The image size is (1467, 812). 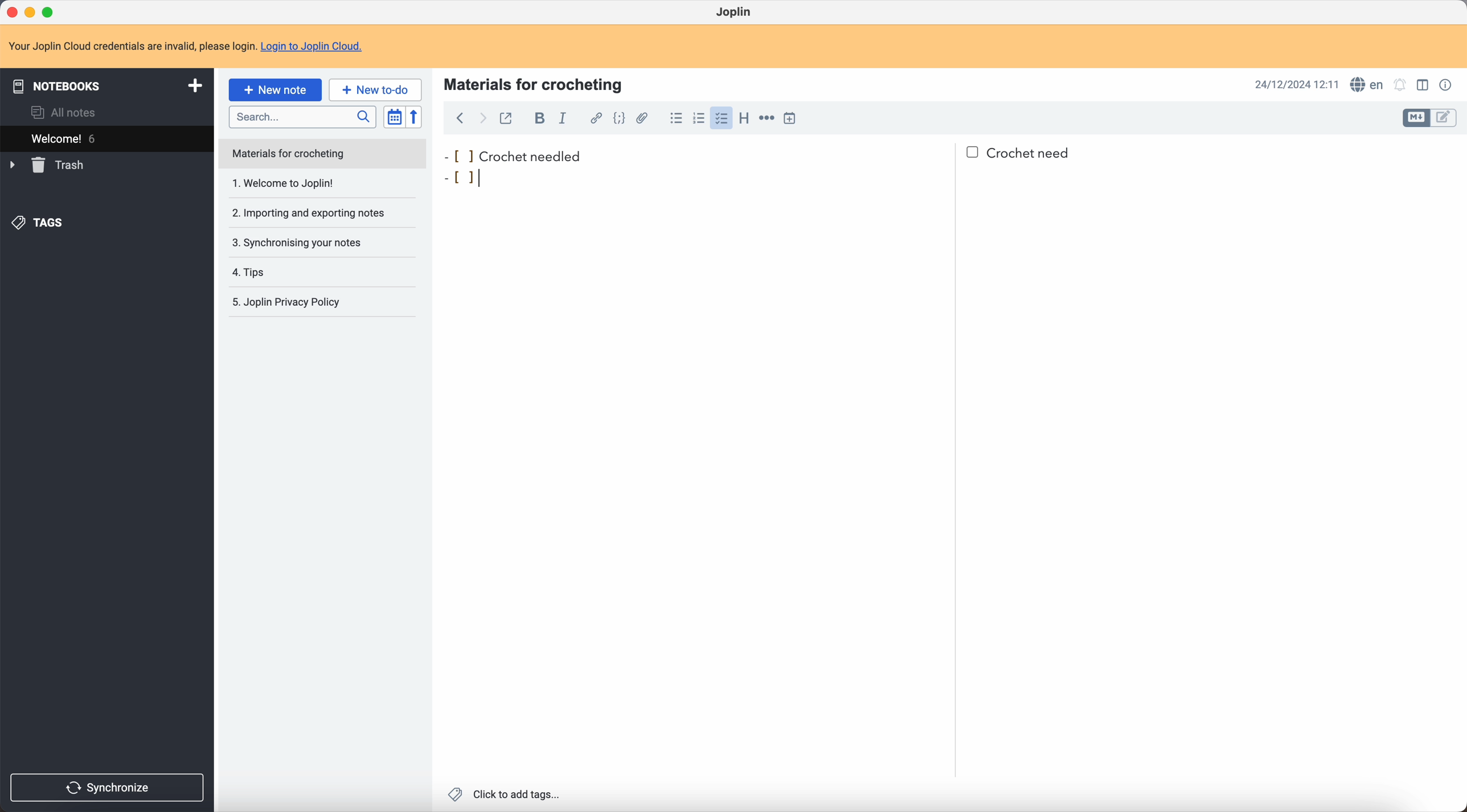 I want to click on maximize, so click(x=51, y=13).